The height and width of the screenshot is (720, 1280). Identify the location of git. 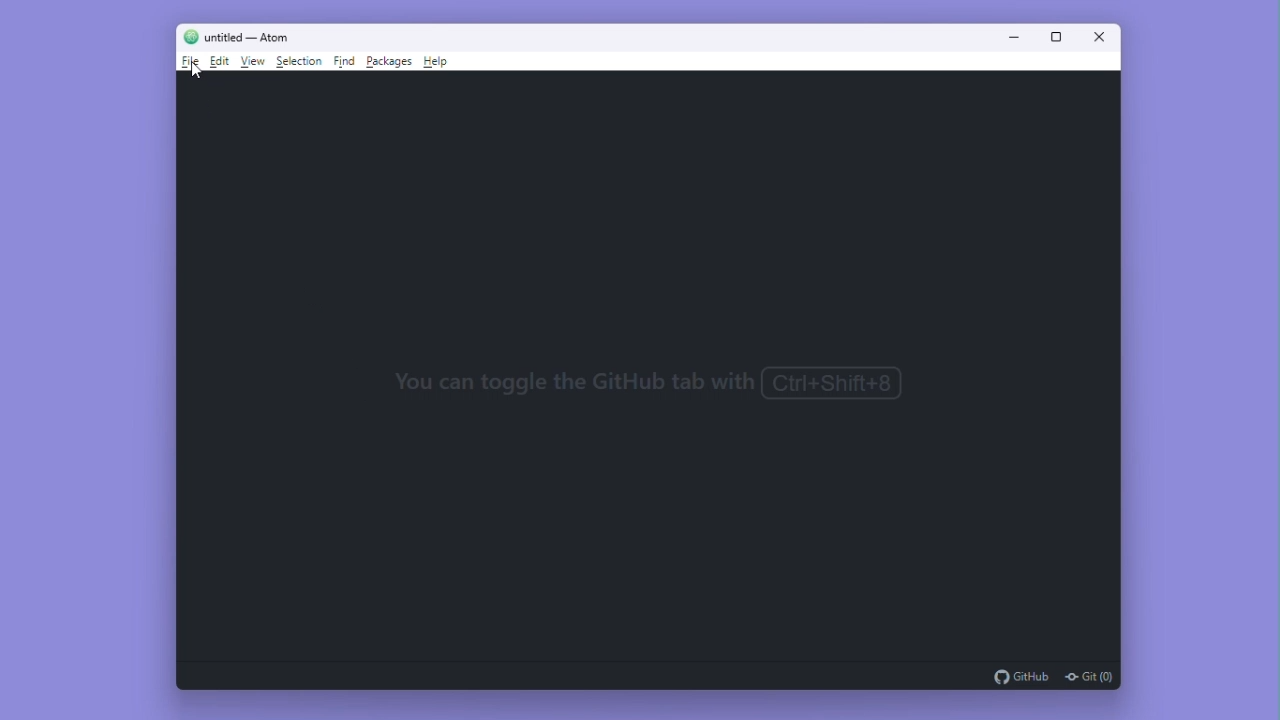
(1087, 676).